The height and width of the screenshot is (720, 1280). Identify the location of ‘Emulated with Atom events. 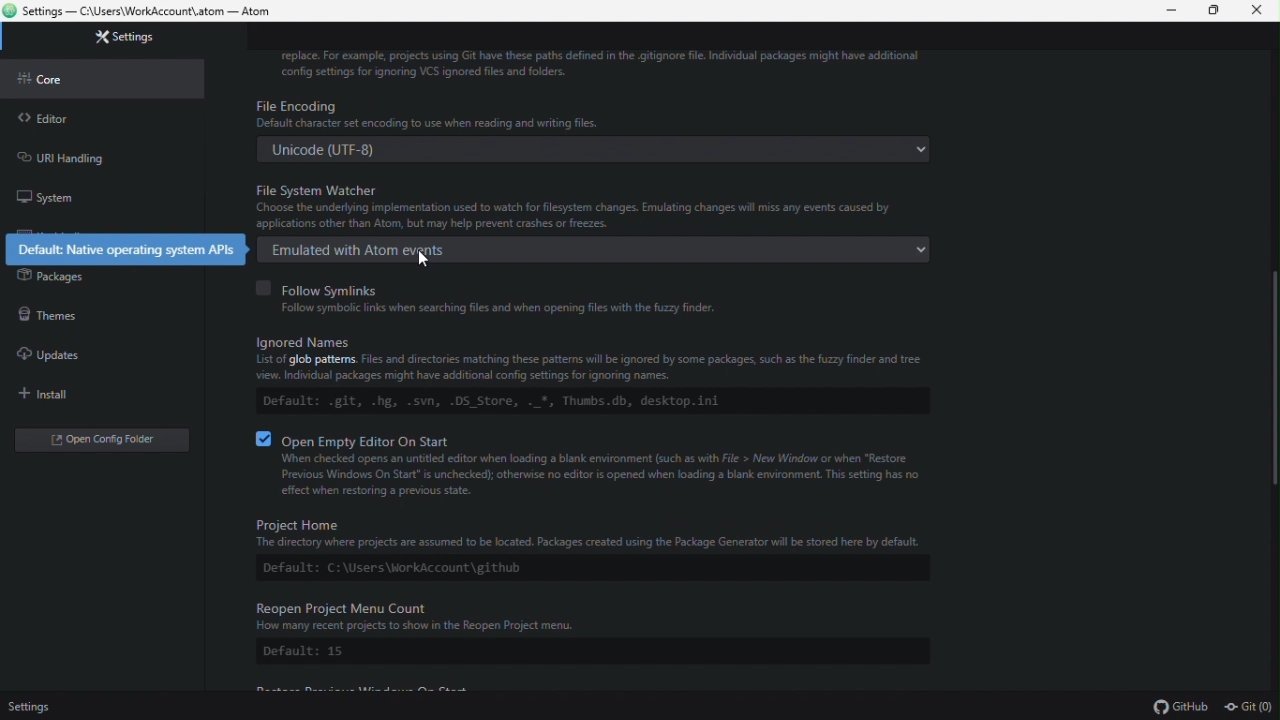
(607, 249).